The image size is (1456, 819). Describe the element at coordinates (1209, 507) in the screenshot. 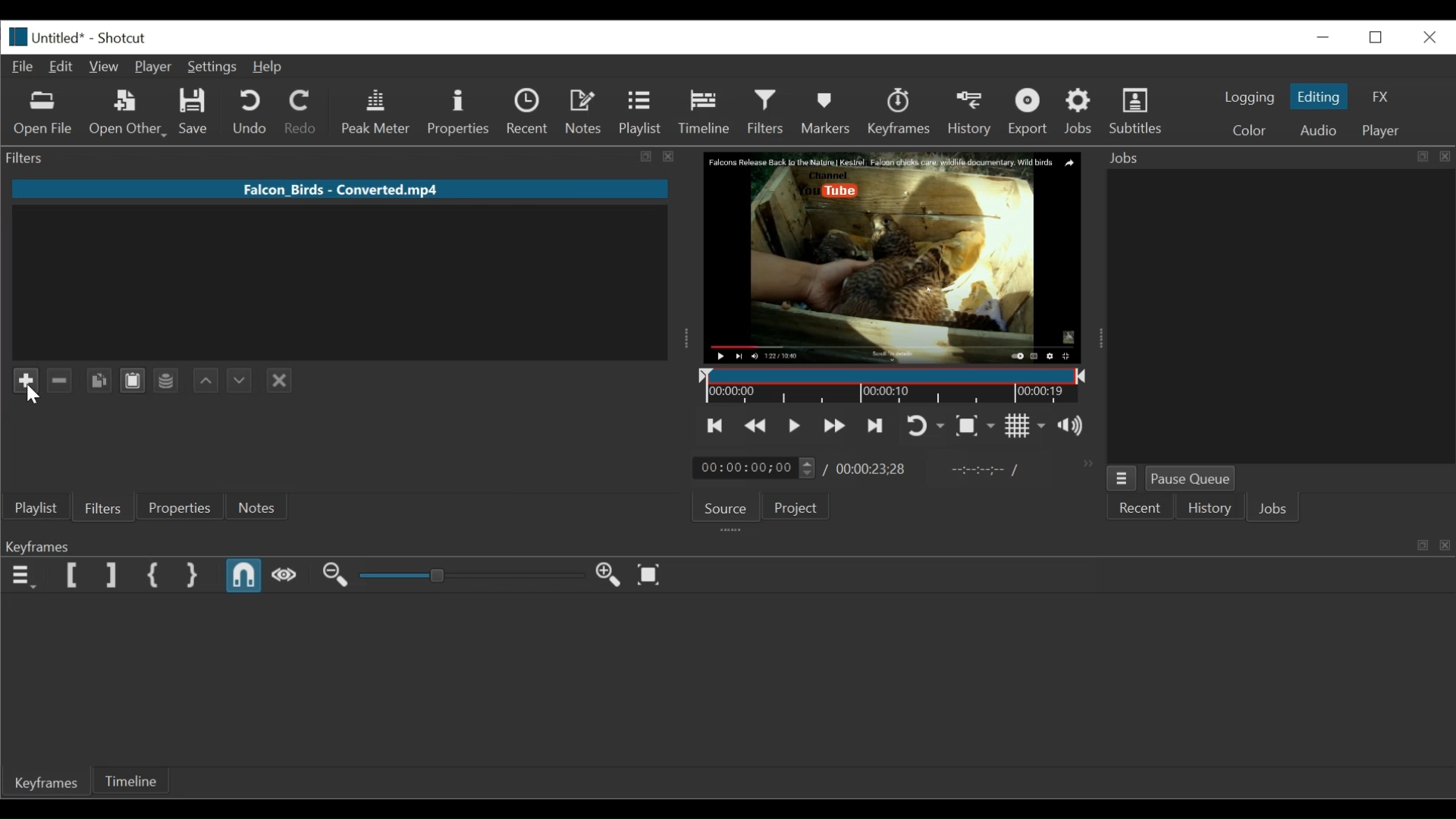

I see `History` at that location.